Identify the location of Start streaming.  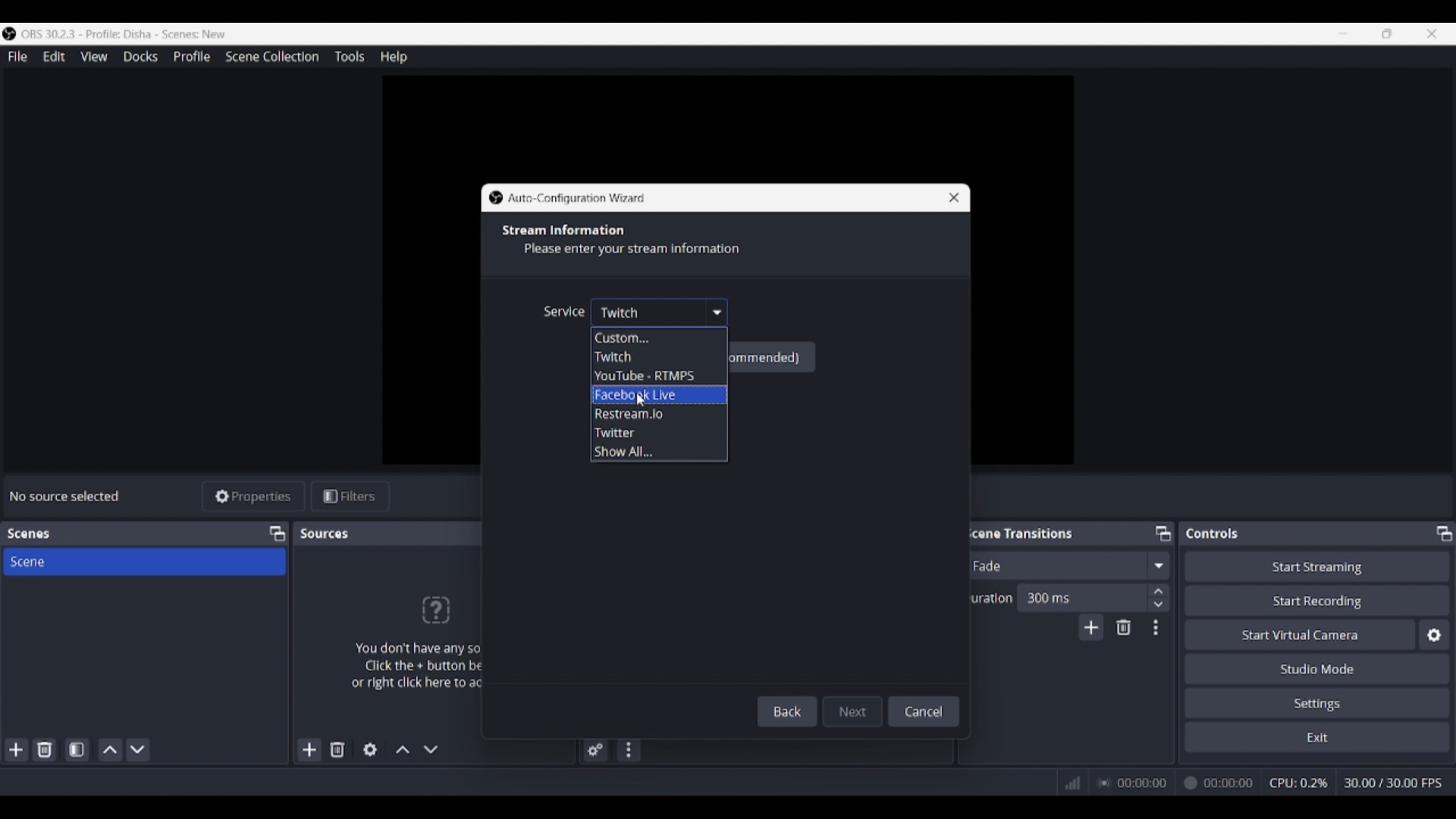
(1318, 566).